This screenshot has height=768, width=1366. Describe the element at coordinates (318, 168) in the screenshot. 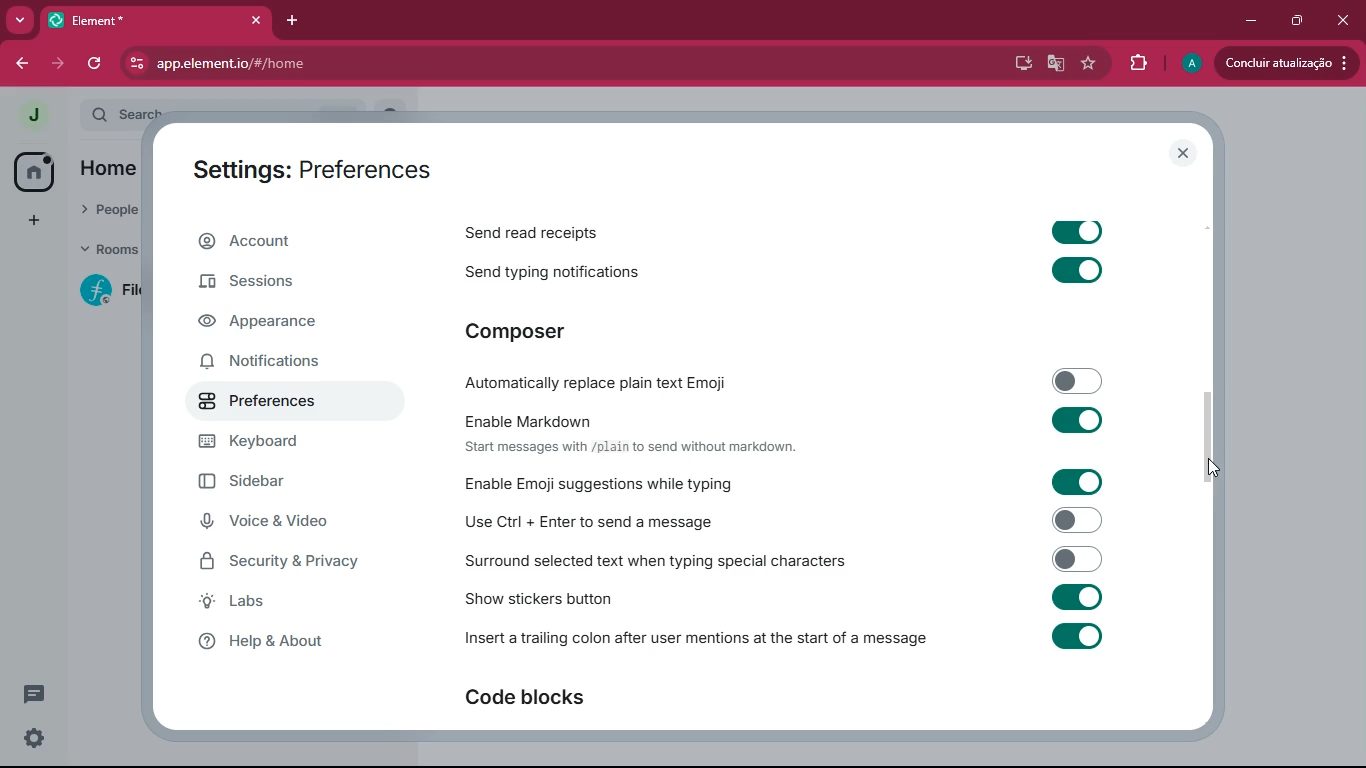

I see `Settings: Preferences` at that location.